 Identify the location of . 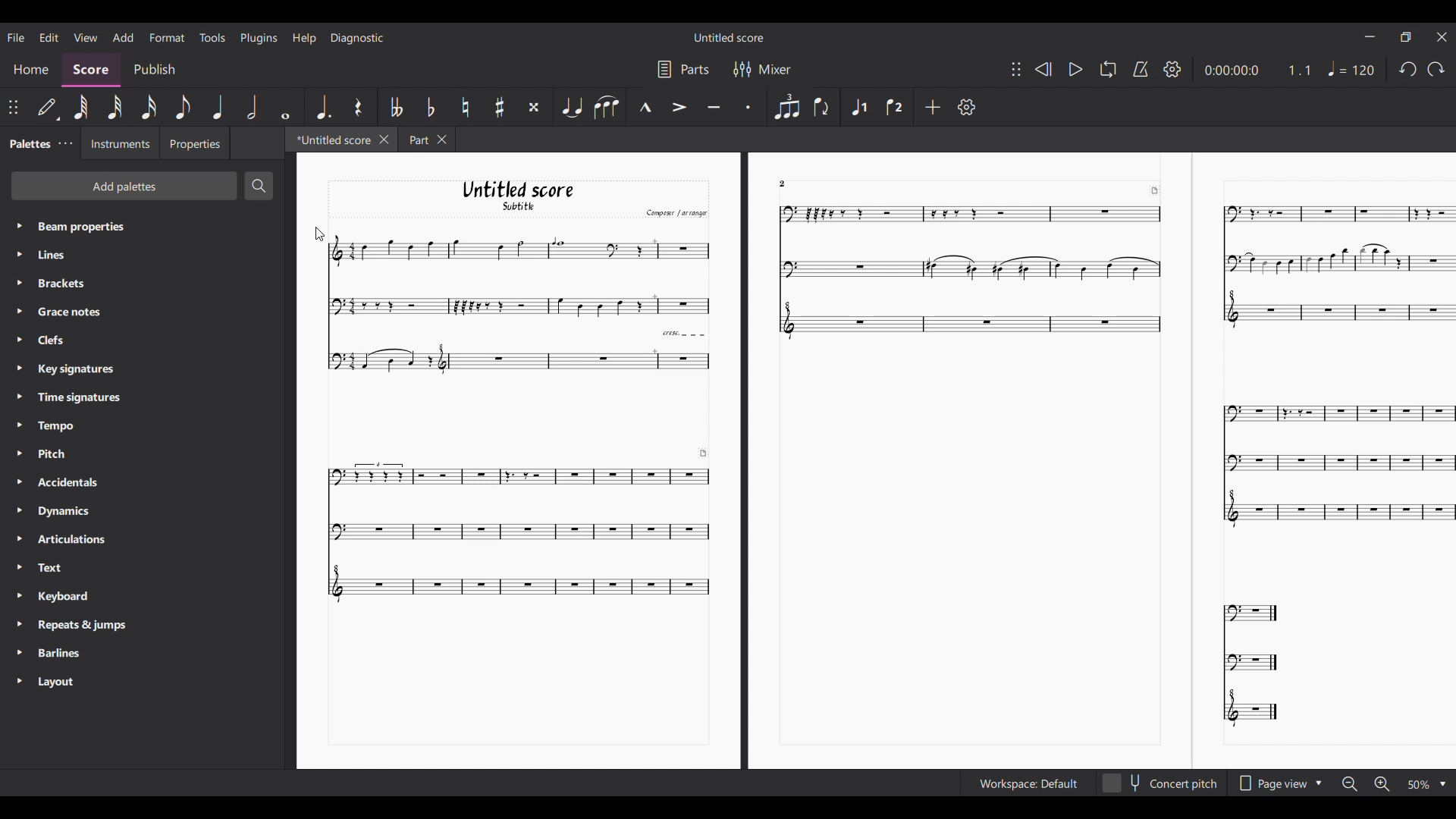
(1338, 416).